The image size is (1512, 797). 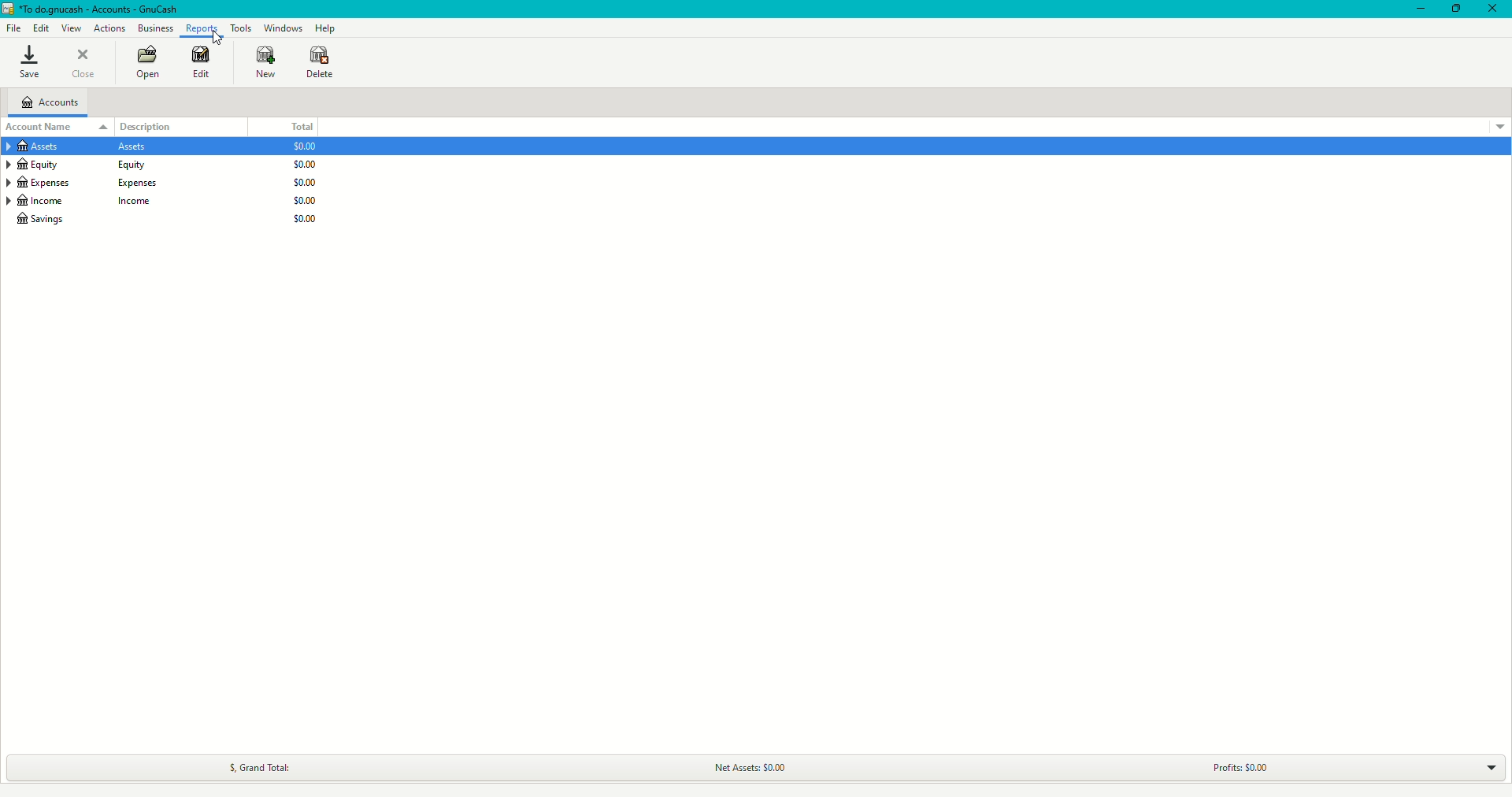 I want to click on Drop down, so click(x=1499, y=128).